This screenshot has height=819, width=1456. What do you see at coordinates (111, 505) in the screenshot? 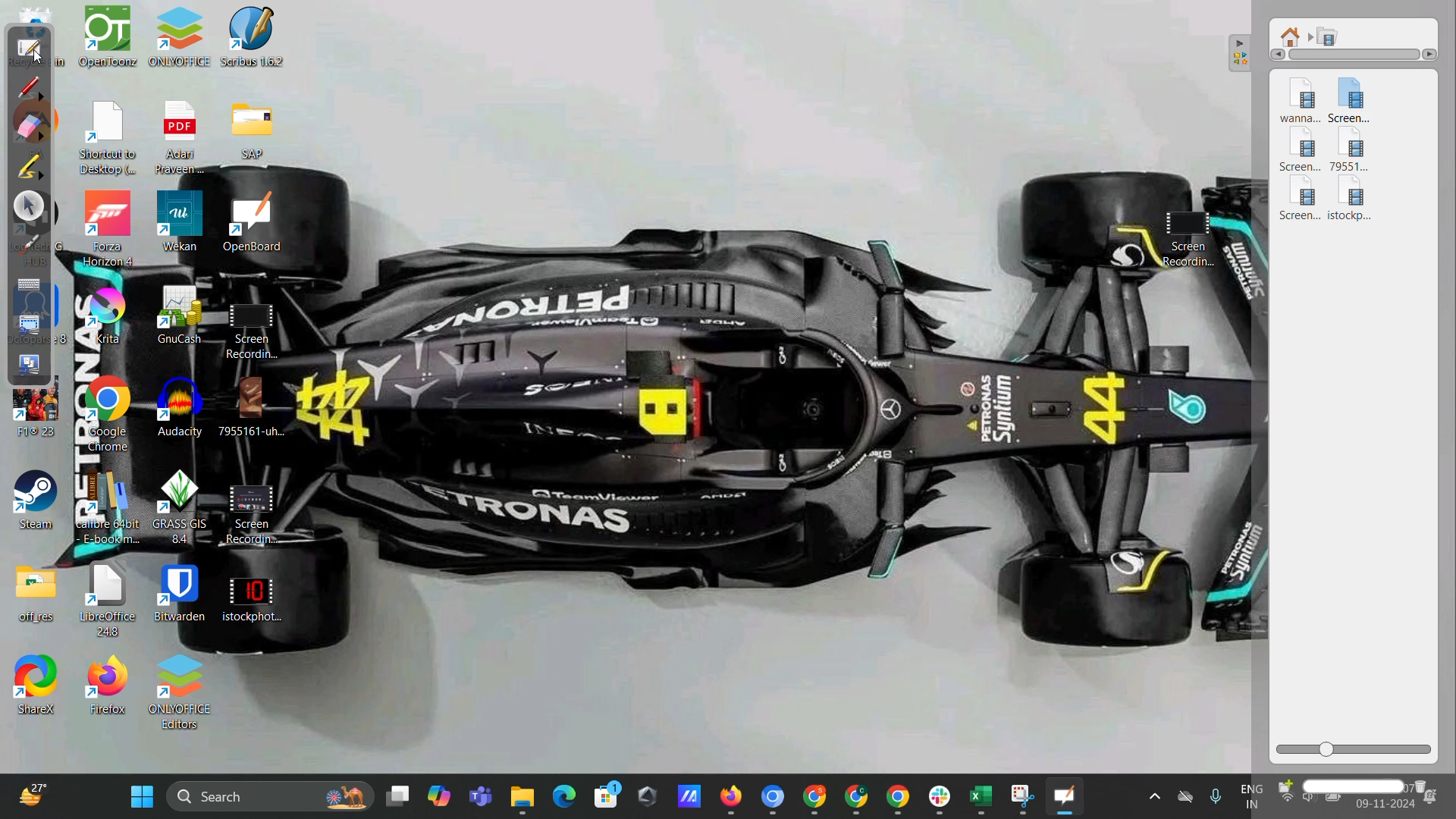
I see `Calibre 64 bit E-book m...` at bounding box center [111, 505].